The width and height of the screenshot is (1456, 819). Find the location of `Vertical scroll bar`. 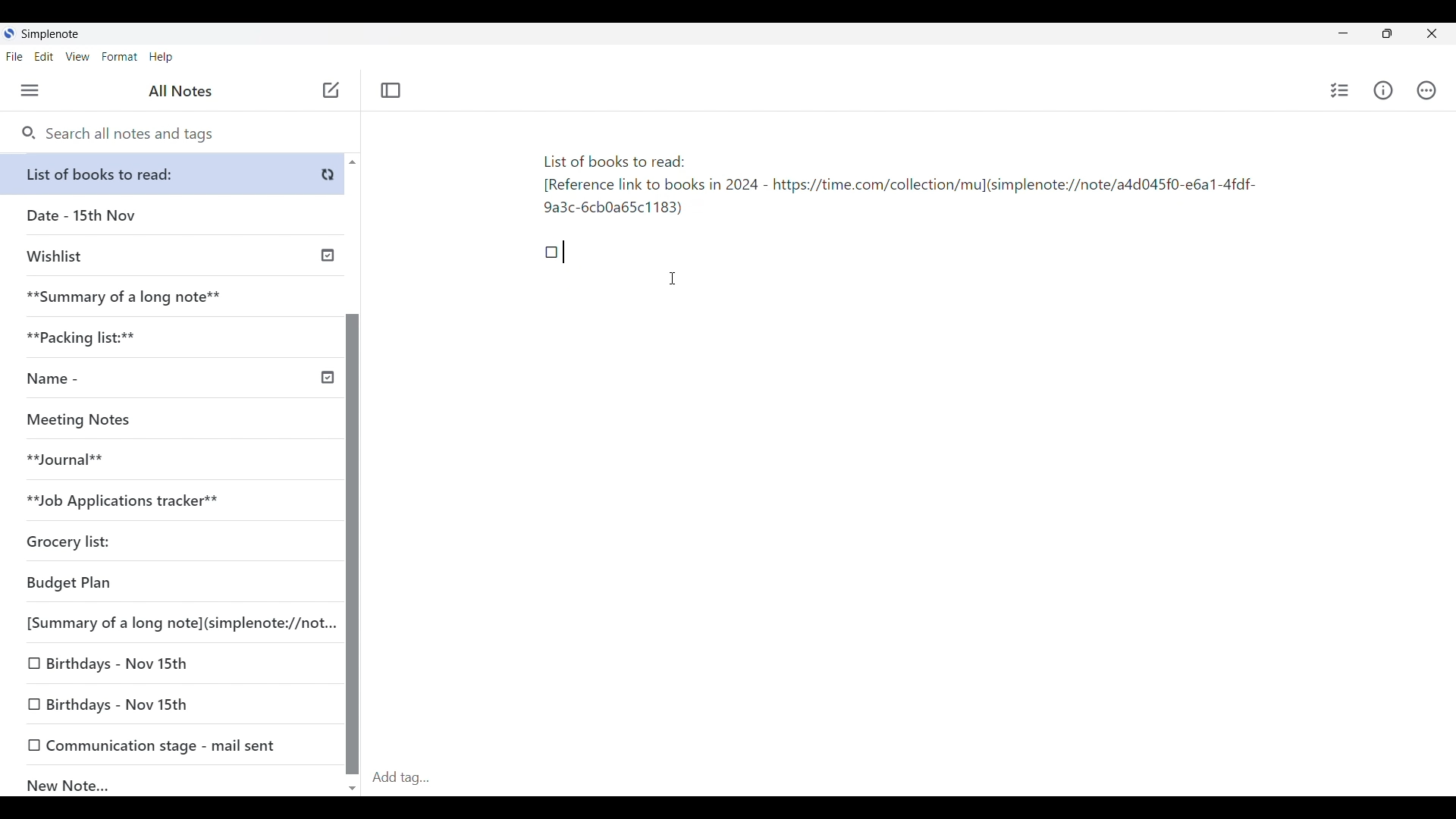

Vertical scroll bar is located at coordinates (352, 473).